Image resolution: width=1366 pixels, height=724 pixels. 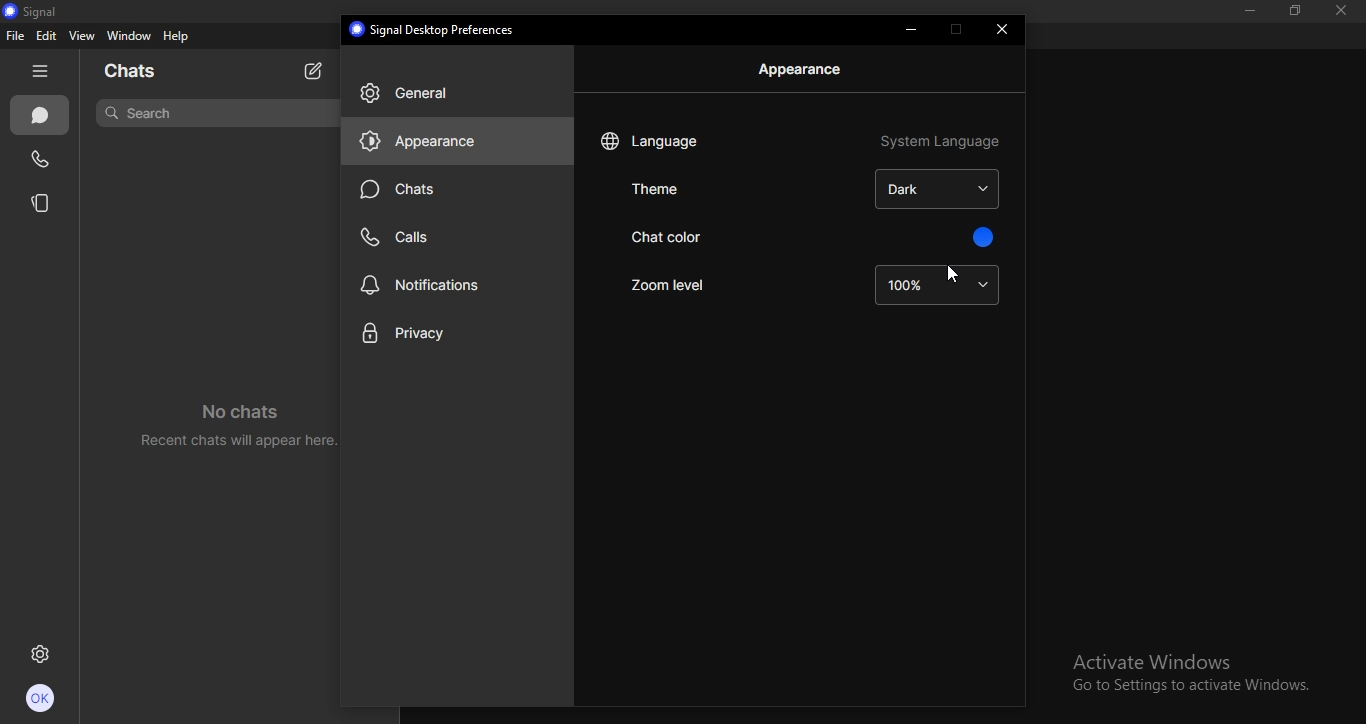 What do you see at coordinates (1246, 13) in the screenshot?
I see `minimize` at bounding box center [1246, 13].